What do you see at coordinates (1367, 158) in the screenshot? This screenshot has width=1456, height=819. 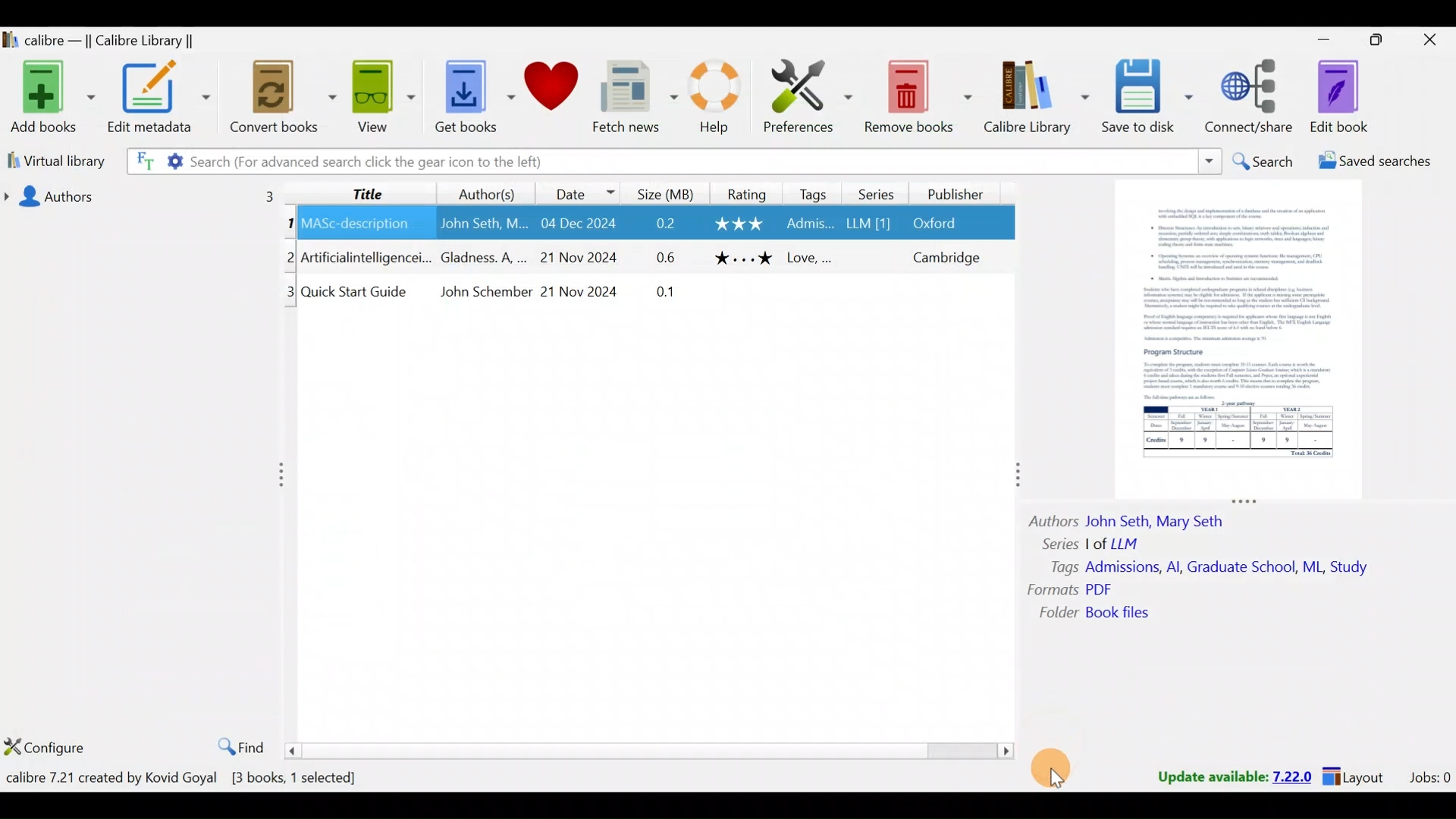 I see `Saved searches` at bounding box center [1367, 158].